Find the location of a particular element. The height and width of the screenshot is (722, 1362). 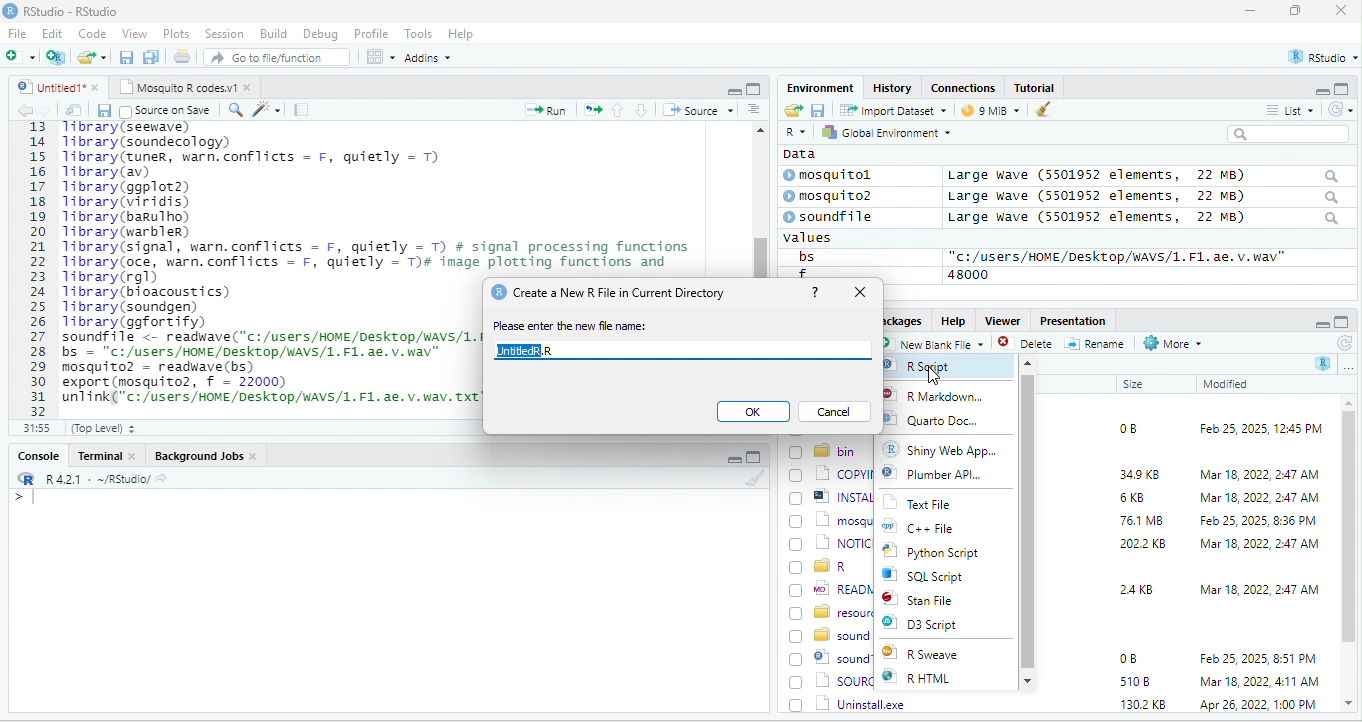

Large wave (5501952 elements, 22 MB) is located at coordinates (1142, 175).